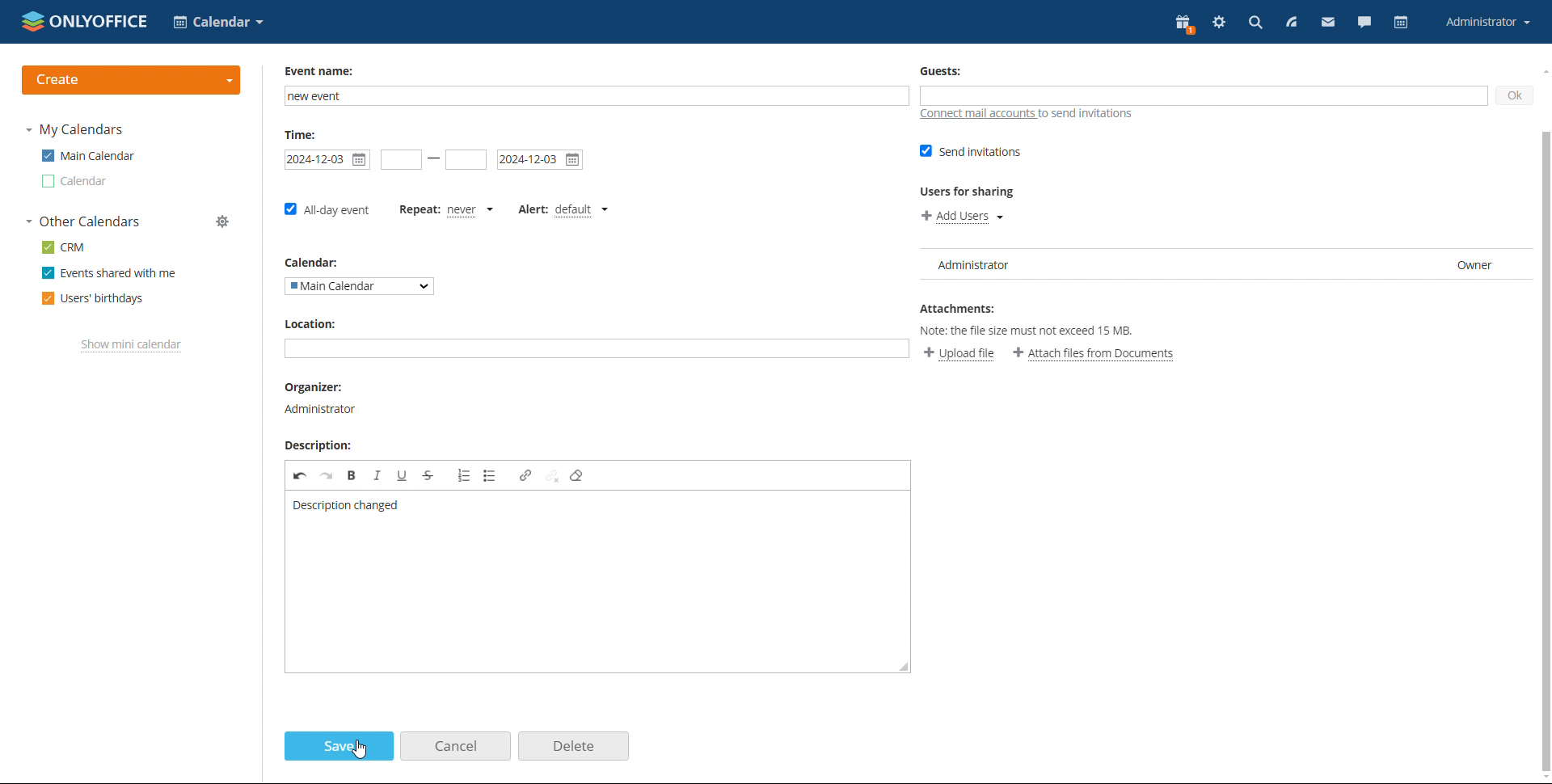 The height and width of the screenshot is (784, 1552). What do you see at coordinates (1403, 23) in the screenshot?
I see `calendar` at bounding box center [1403, 23].